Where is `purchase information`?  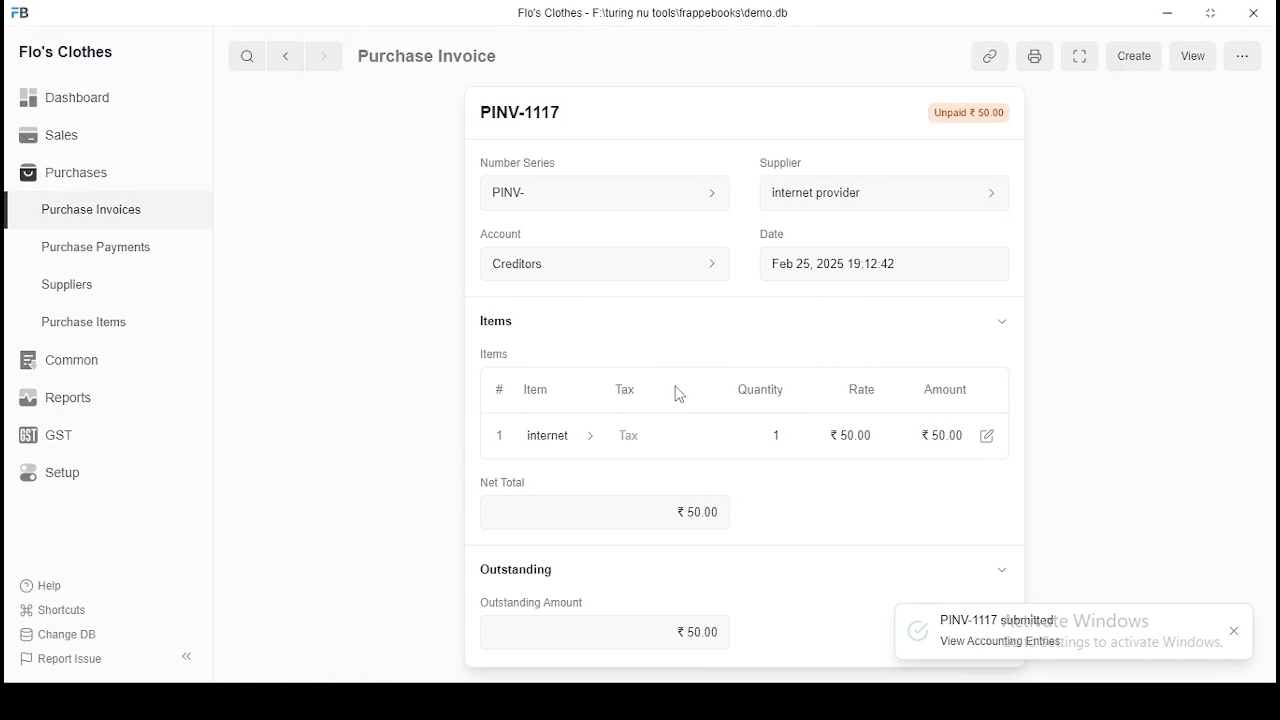 purchase information is located at coordinates (428, 57).